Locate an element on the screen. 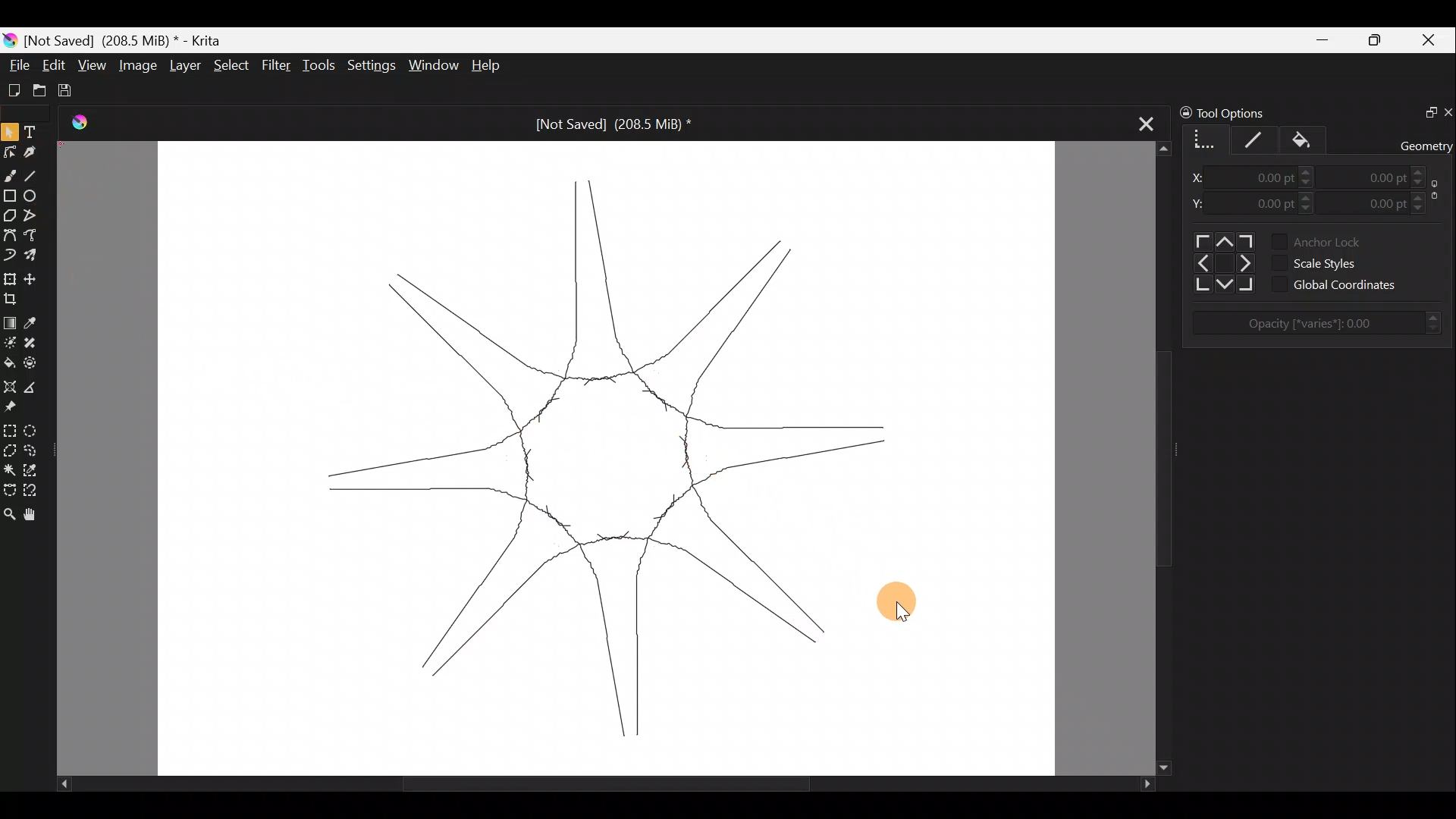  Scroll bar is located at coordinates (1150, 459).